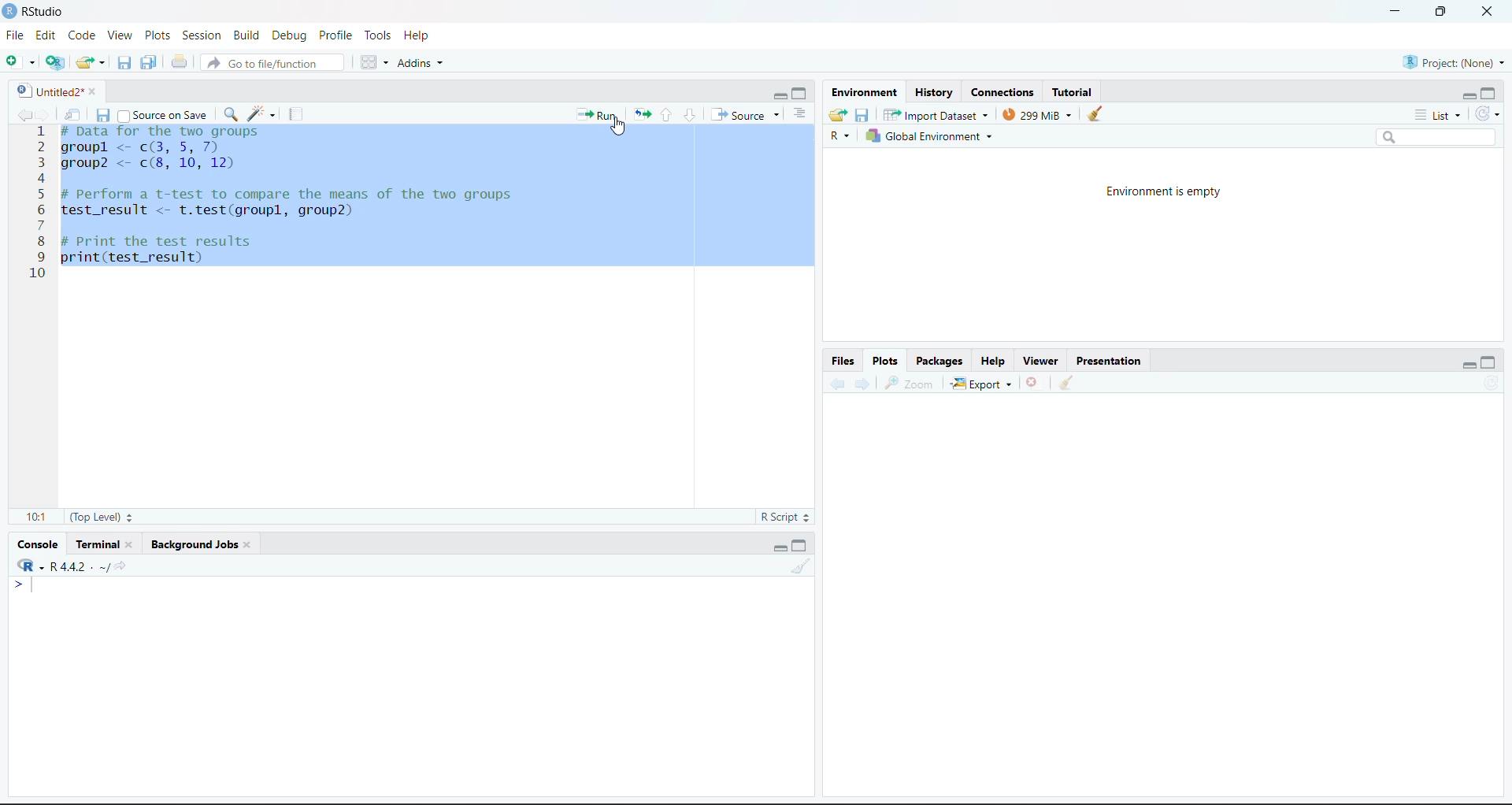 The width and height of the screenshot is (1512, 805). I want to click on minimize, so click(1469, 96).